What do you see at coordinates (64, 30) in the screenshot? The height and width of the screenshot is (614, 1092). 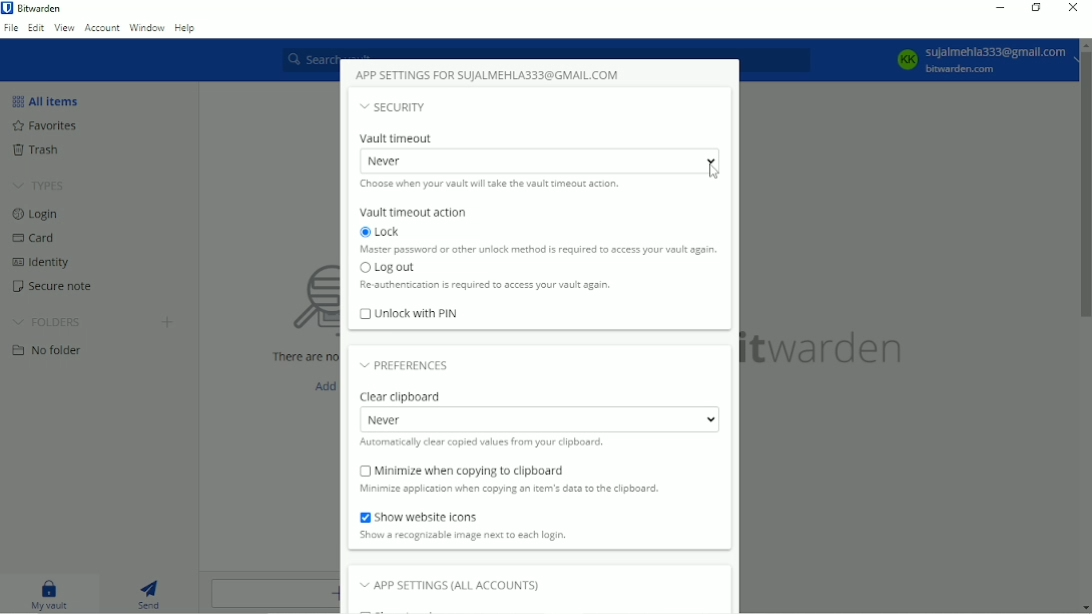 I see `View` at bounding box center [64, 30].